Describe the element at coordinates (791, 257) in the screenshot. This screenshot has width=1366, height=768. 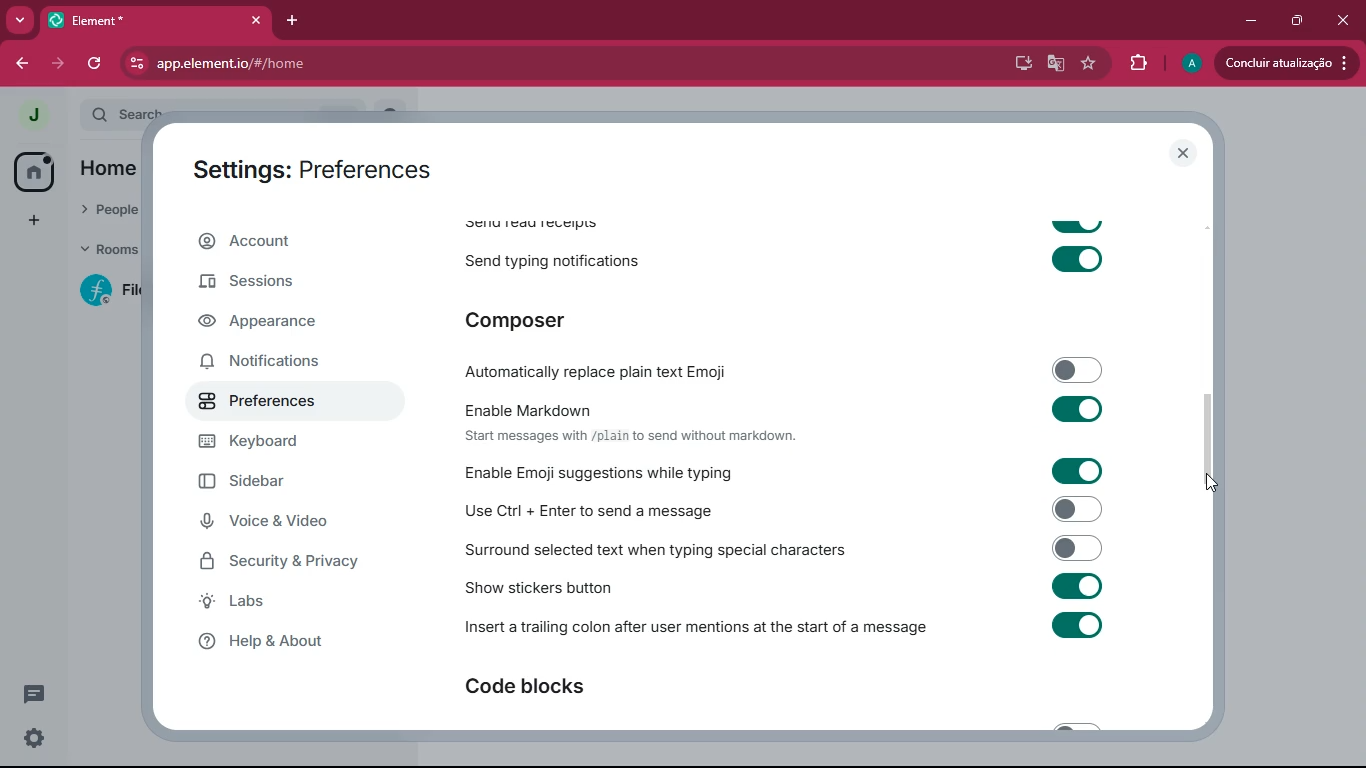
I see `send typing notifications` at that location.